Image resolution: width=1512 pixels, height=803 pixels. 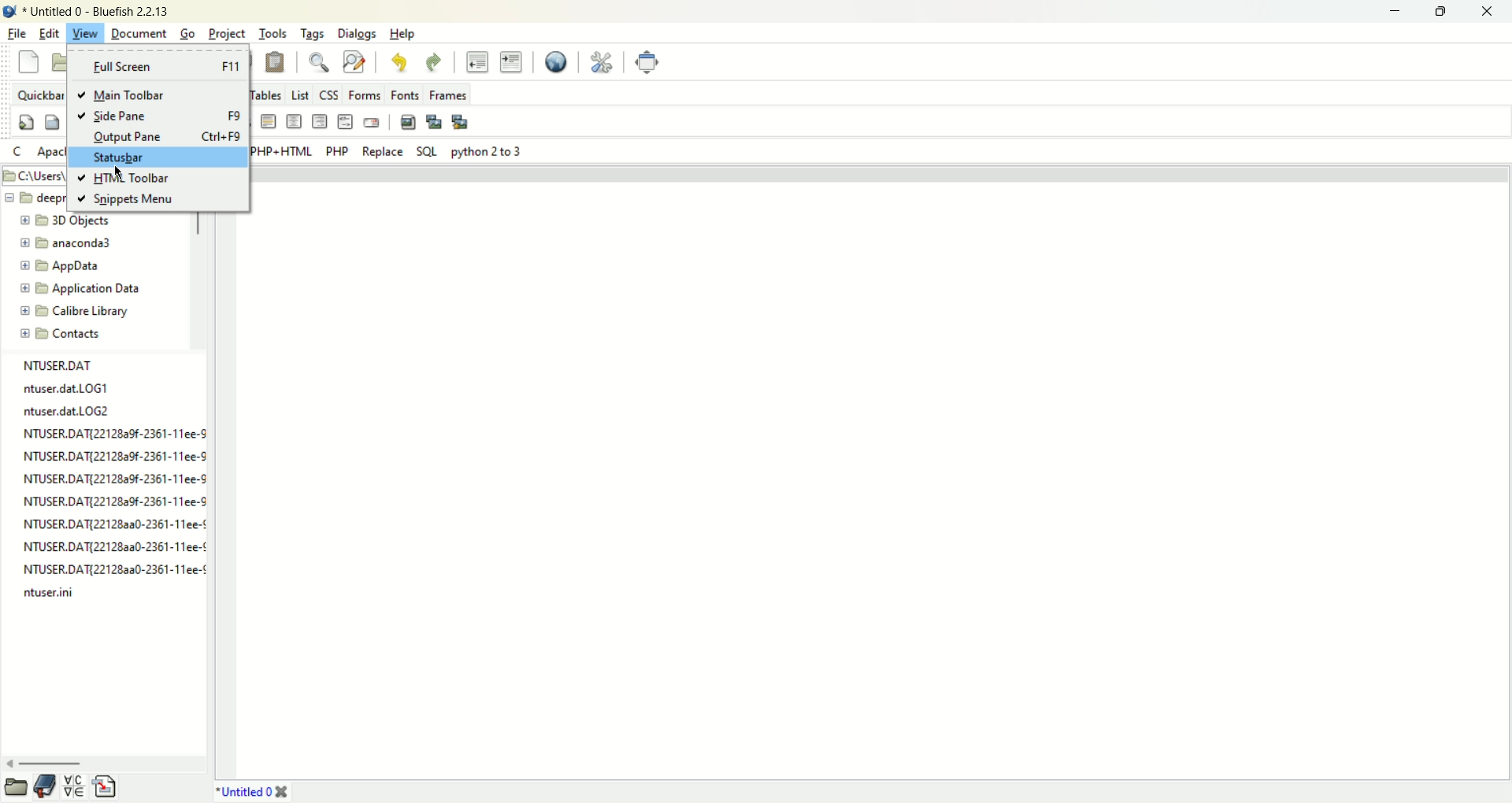 I want to click on NTUSER.DATI2212823a30-2361-11ee-¢, so click(x=116, y=522).